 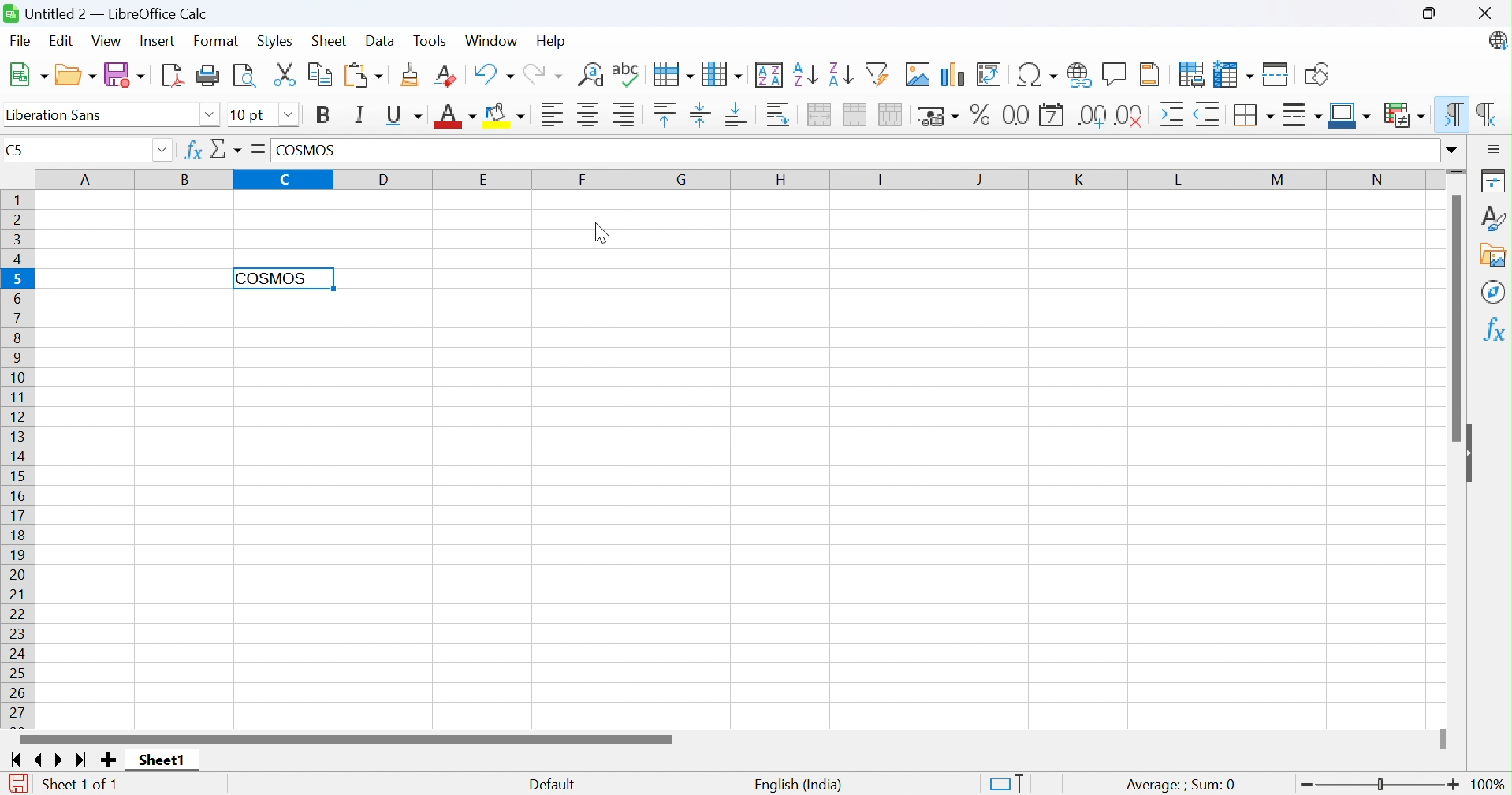 I want to click on Wrap text, so click(x=779, y=114).